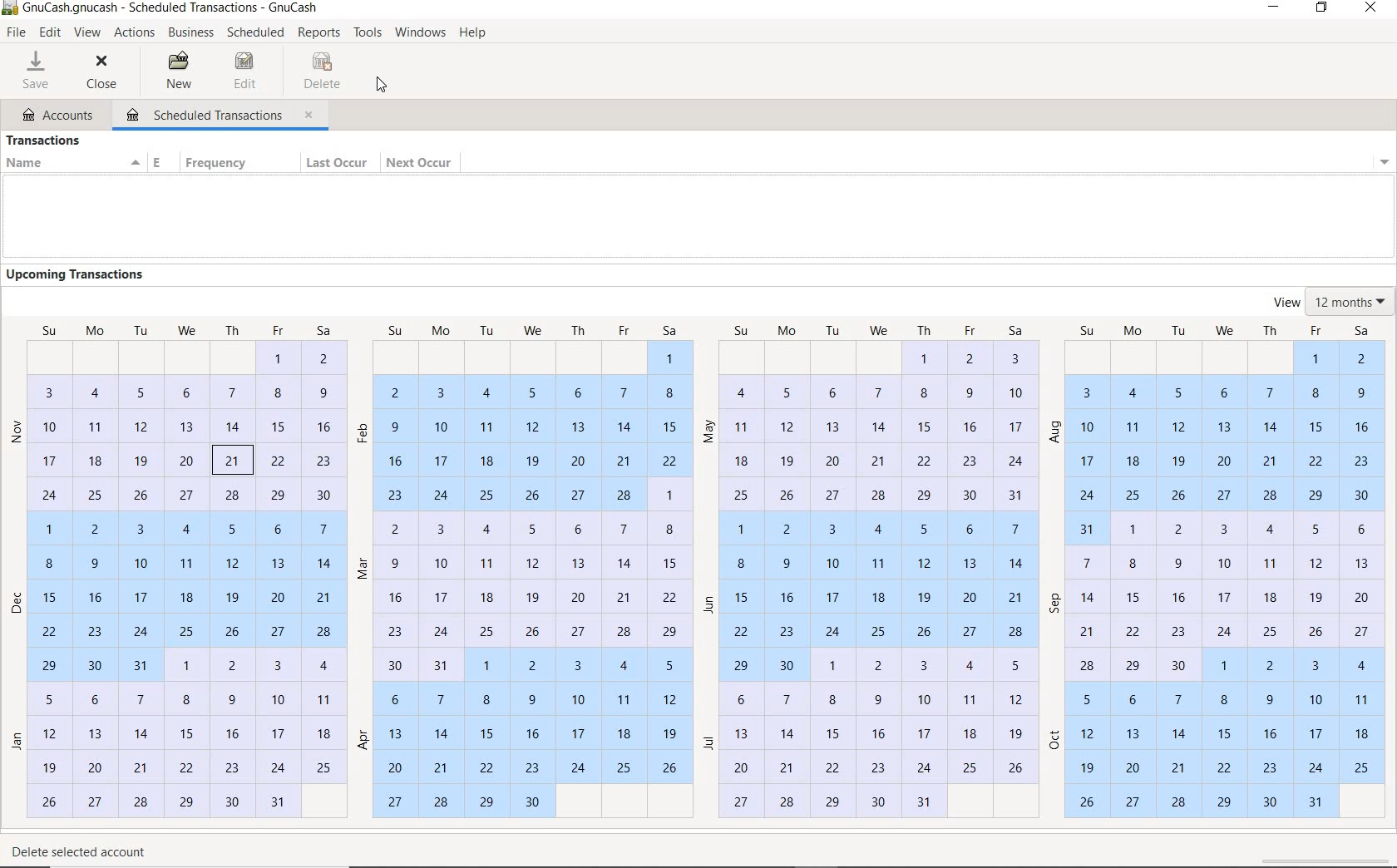 The height and width of the screenshot is (868, 1397). I want to click on LAST OCCUR, so click(341, 165).